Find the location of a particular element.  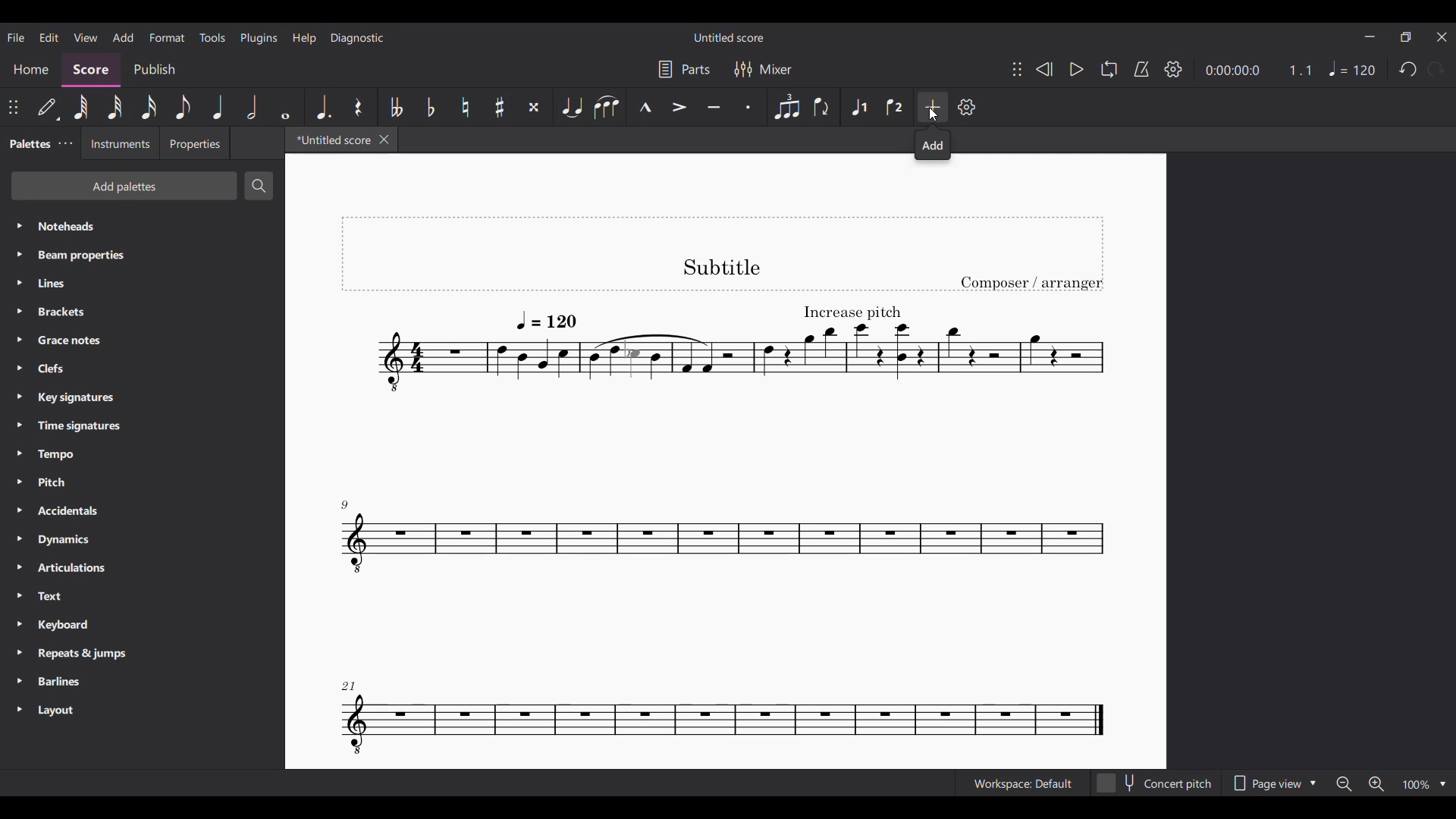

Accidentals is located at coordinates (142, 510).